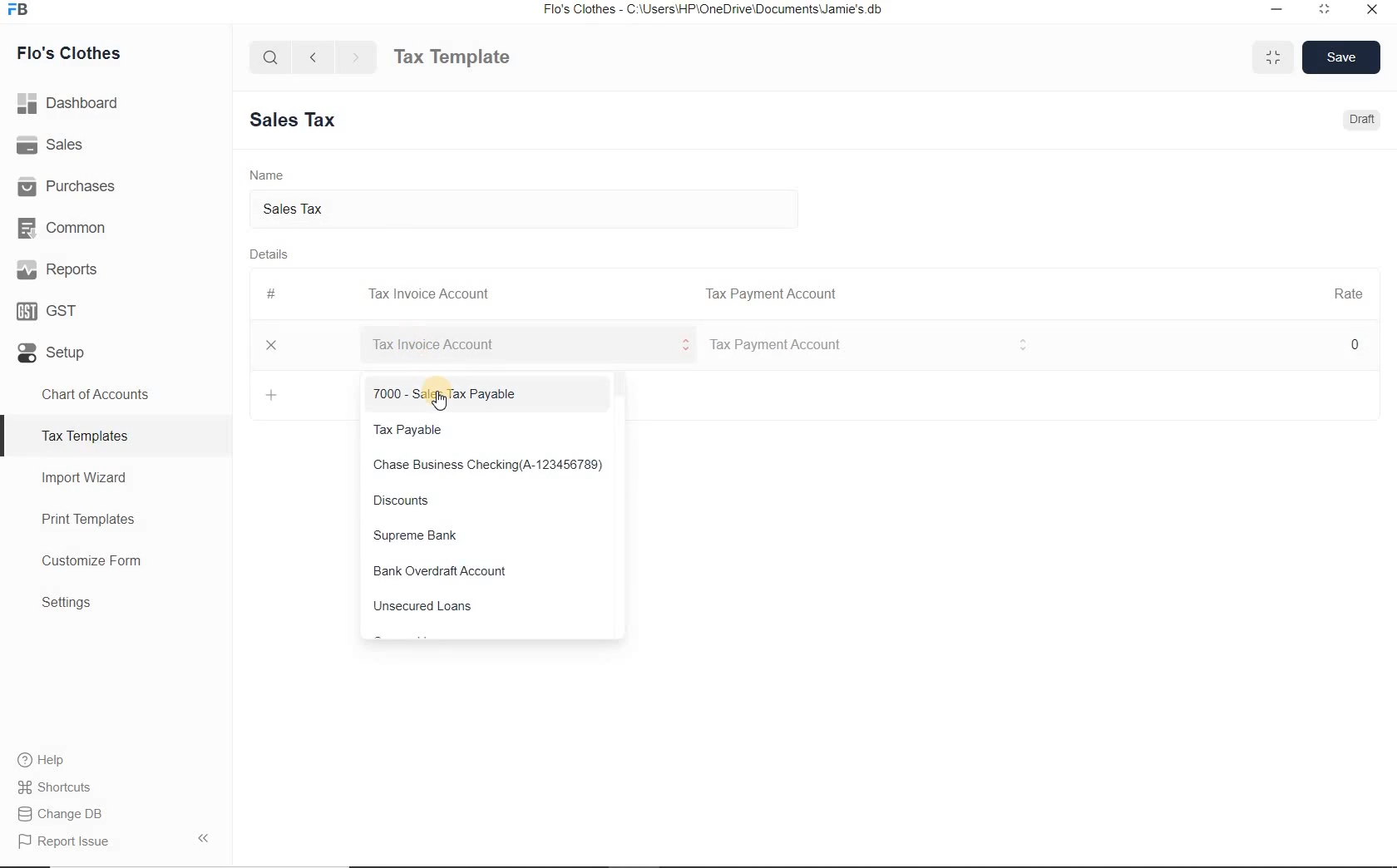  Describe the element at coordinates (868, 346) in the screenshot. I see `Tax Invoice account` at that location.